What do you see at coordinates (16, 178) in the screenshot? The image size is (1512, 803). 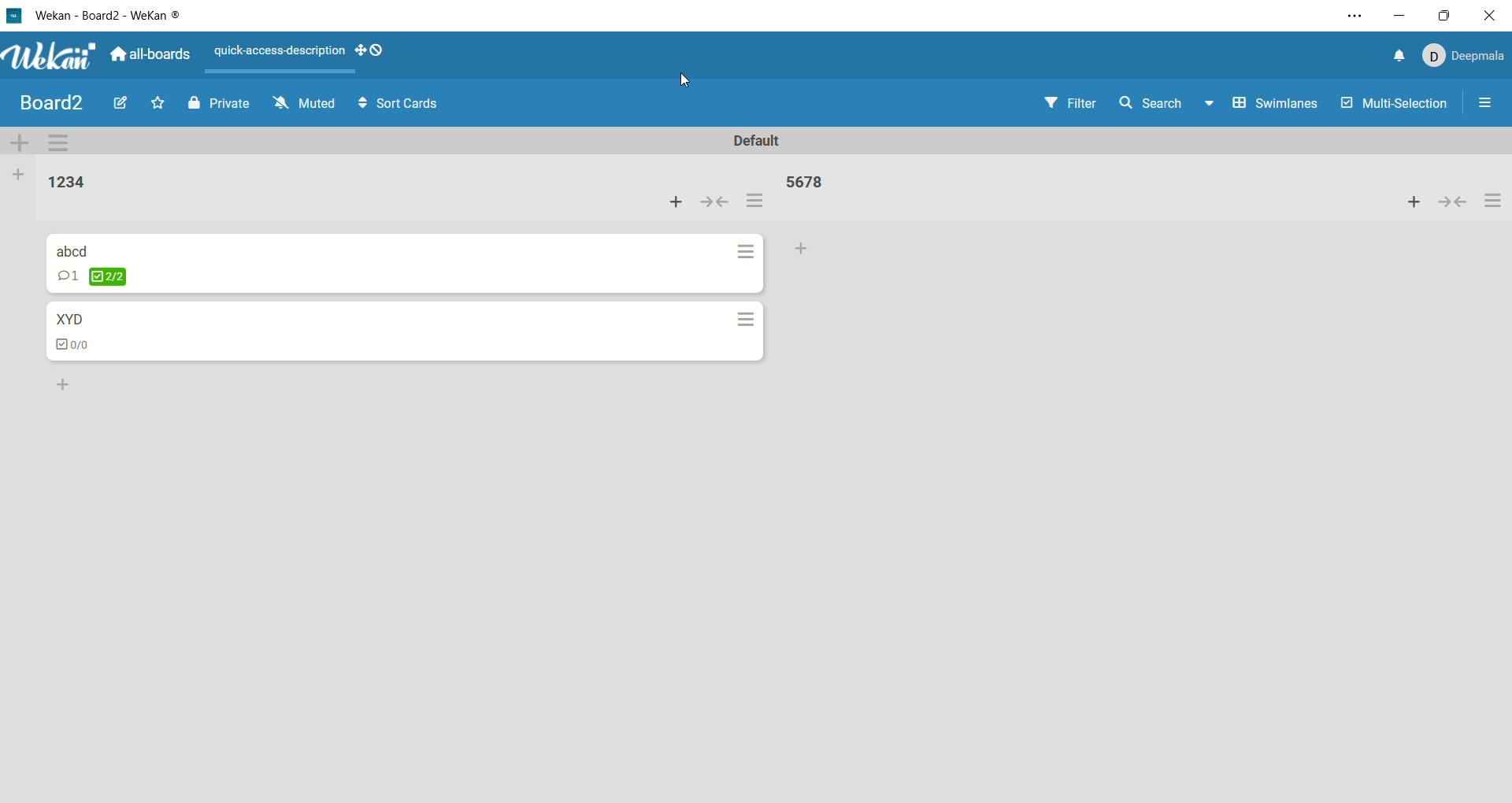 I see `add list` at bounding box center [16, 178].